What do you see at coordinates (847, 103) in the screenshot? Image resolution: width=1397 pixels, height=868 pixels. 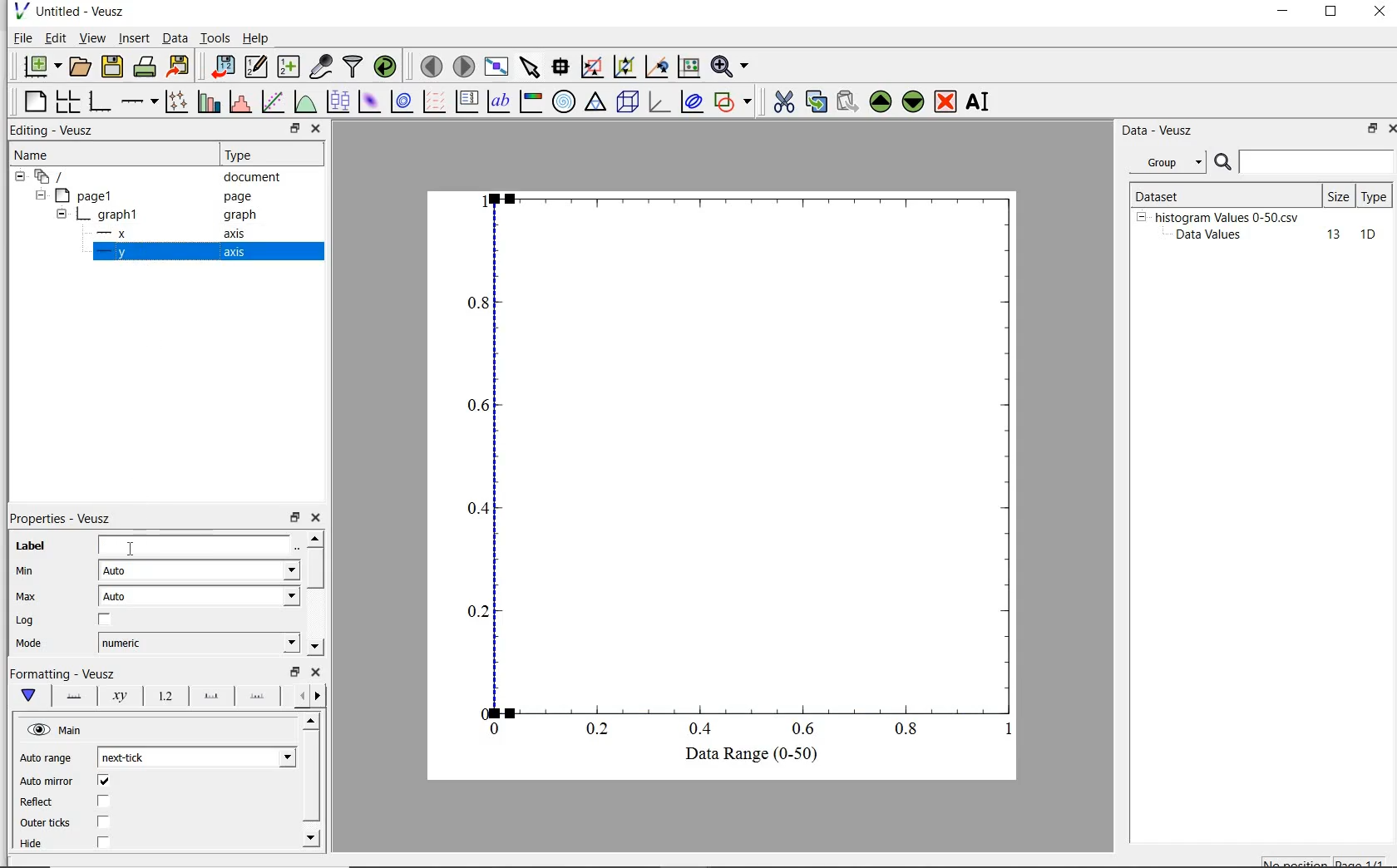 I see `paste the selected widget` at bounding box center [847, 103].